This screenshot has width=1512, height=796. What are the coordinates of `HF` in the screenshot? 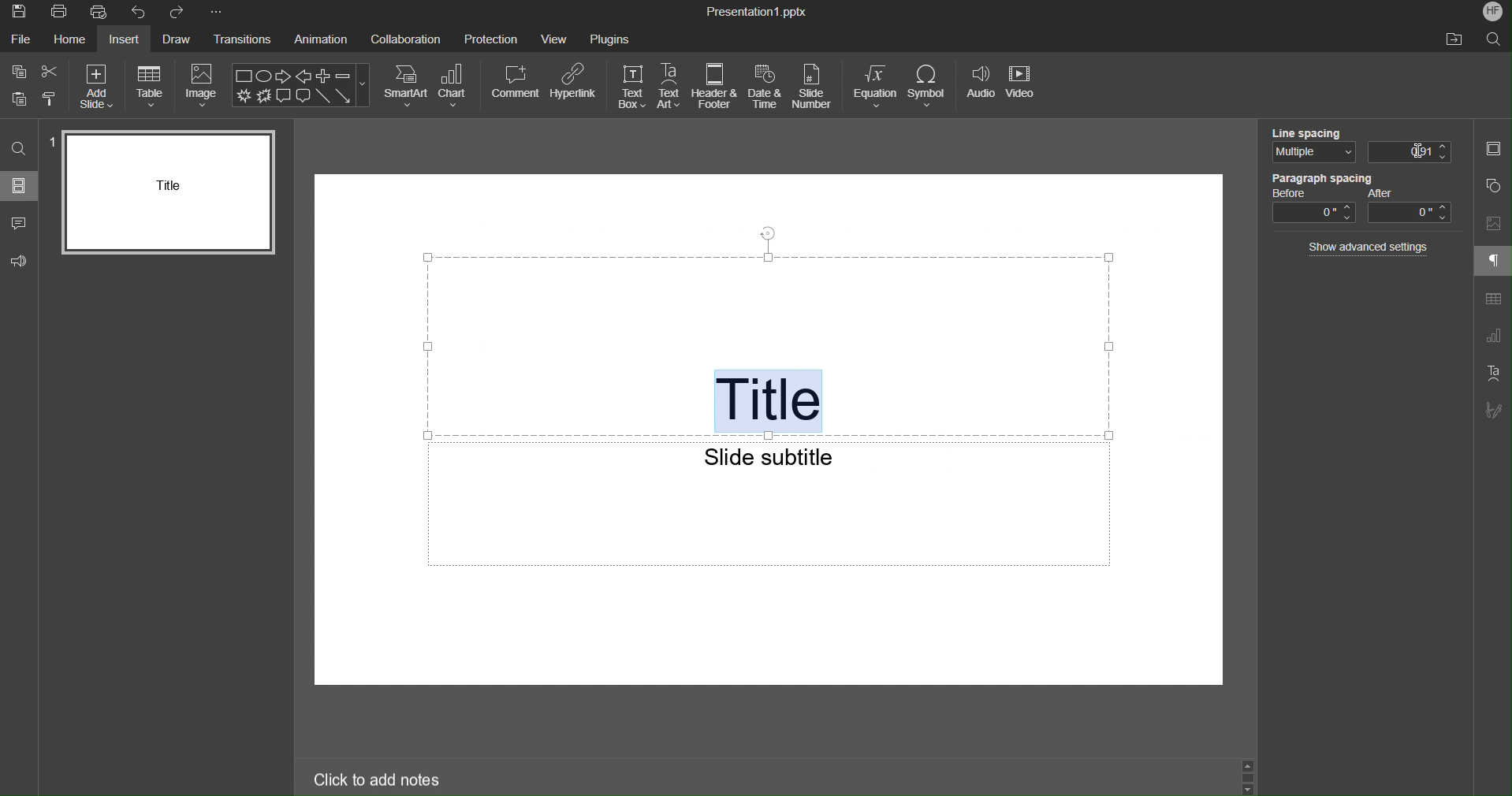 It's located at (1492, 13).